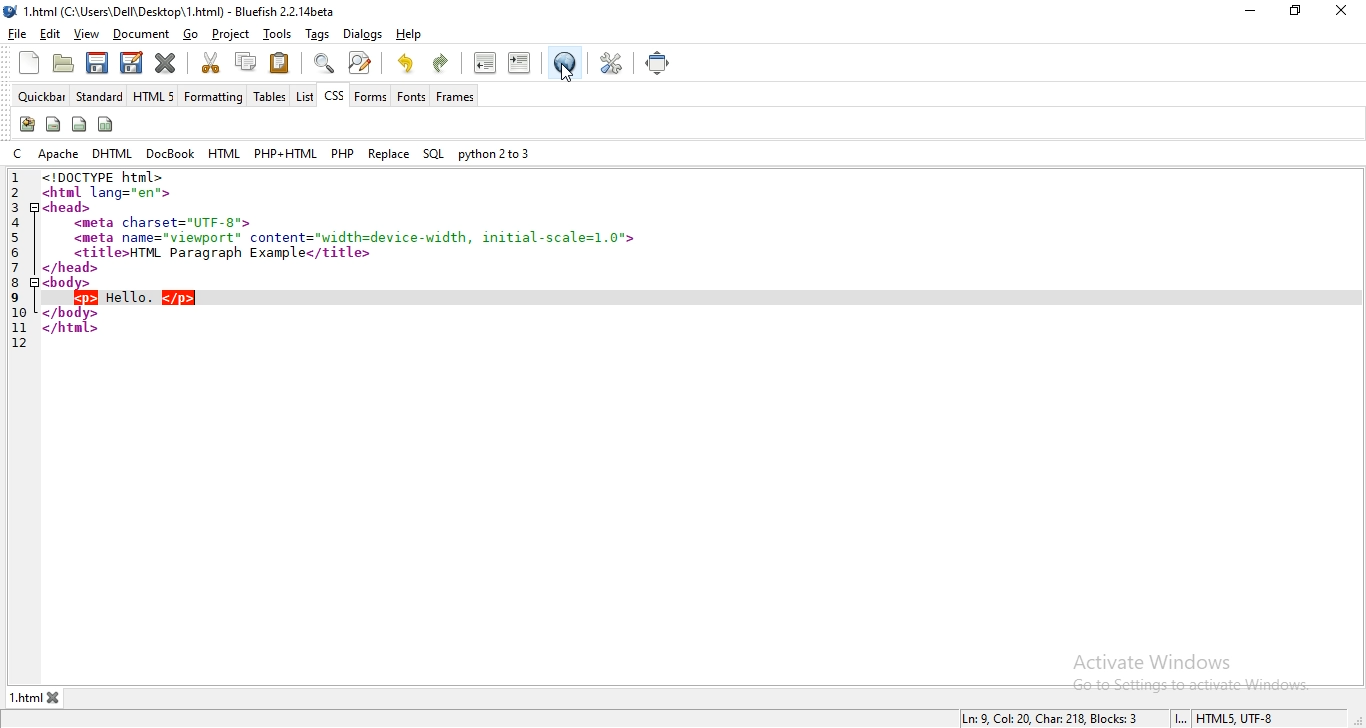 This screenshot has width=1366, height=728. Describe the element at coordinates (1053, 719) in the screenshot. I see `Ln: 9, Col: 20, Char: 218, Blocks: 3` at that location.